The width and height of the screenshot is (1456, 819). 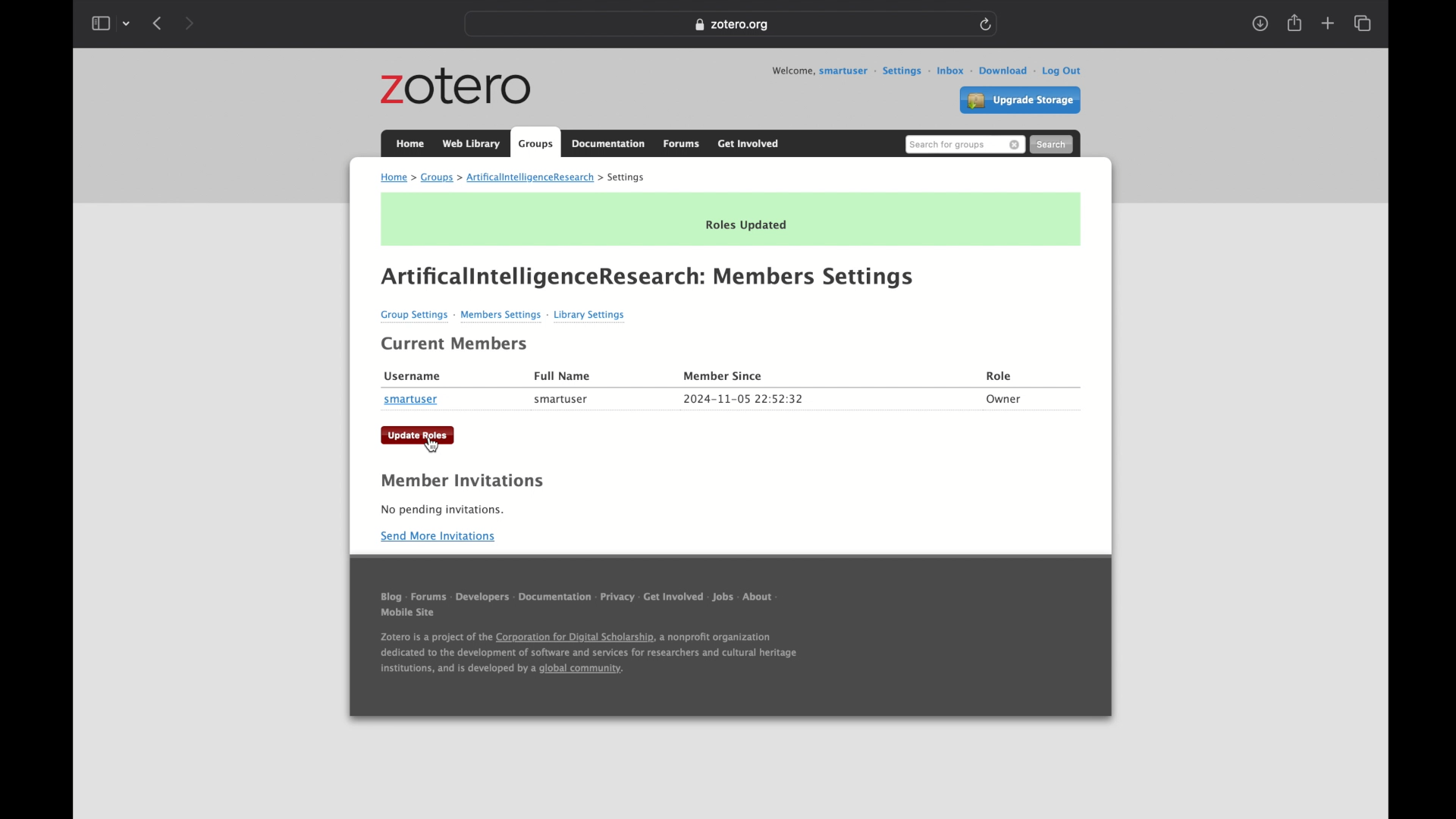 I want to click on about, so click(x=762, y=601).